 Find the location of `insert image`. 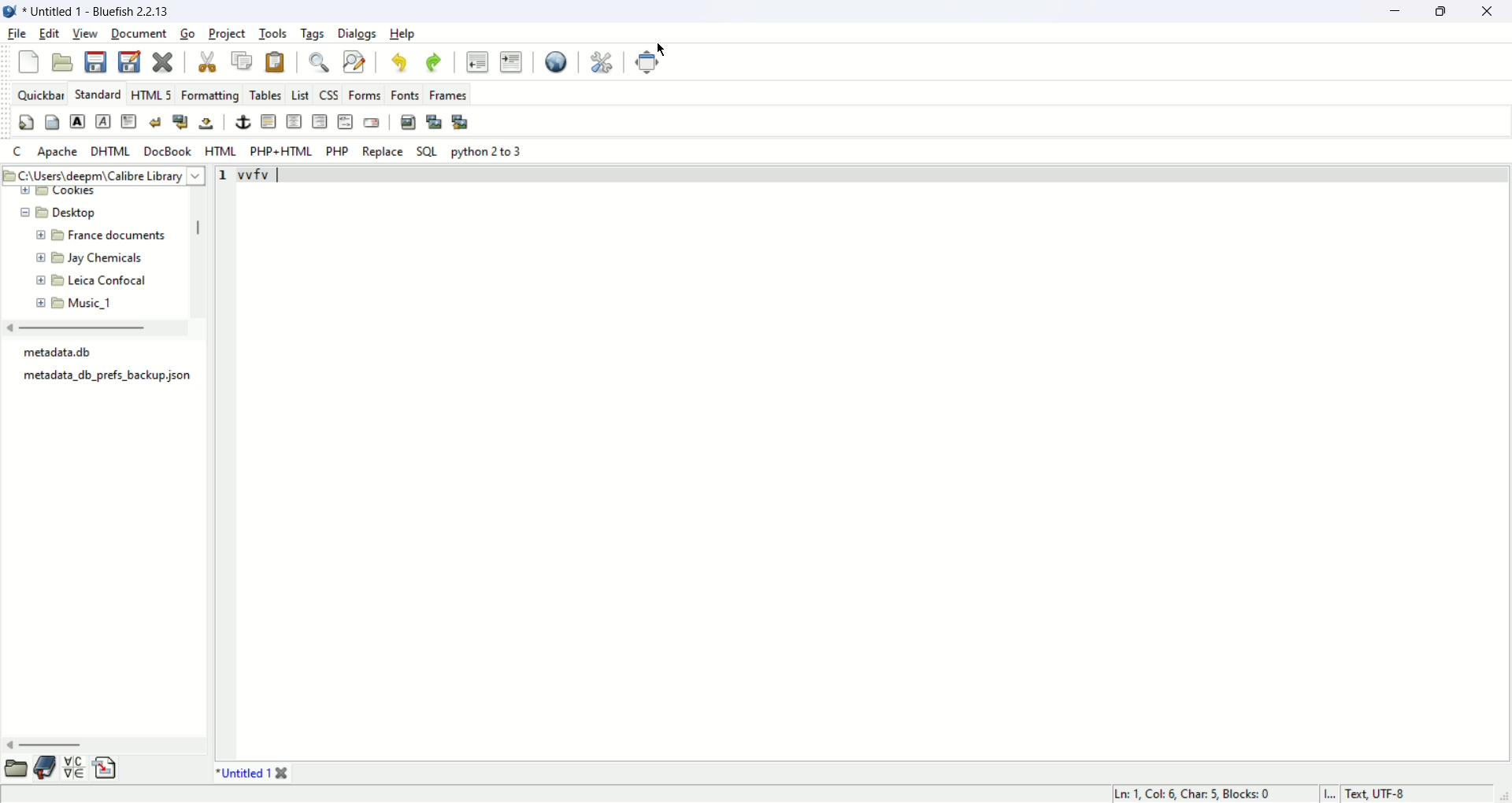

insert image is located at coordinates (407, 120).